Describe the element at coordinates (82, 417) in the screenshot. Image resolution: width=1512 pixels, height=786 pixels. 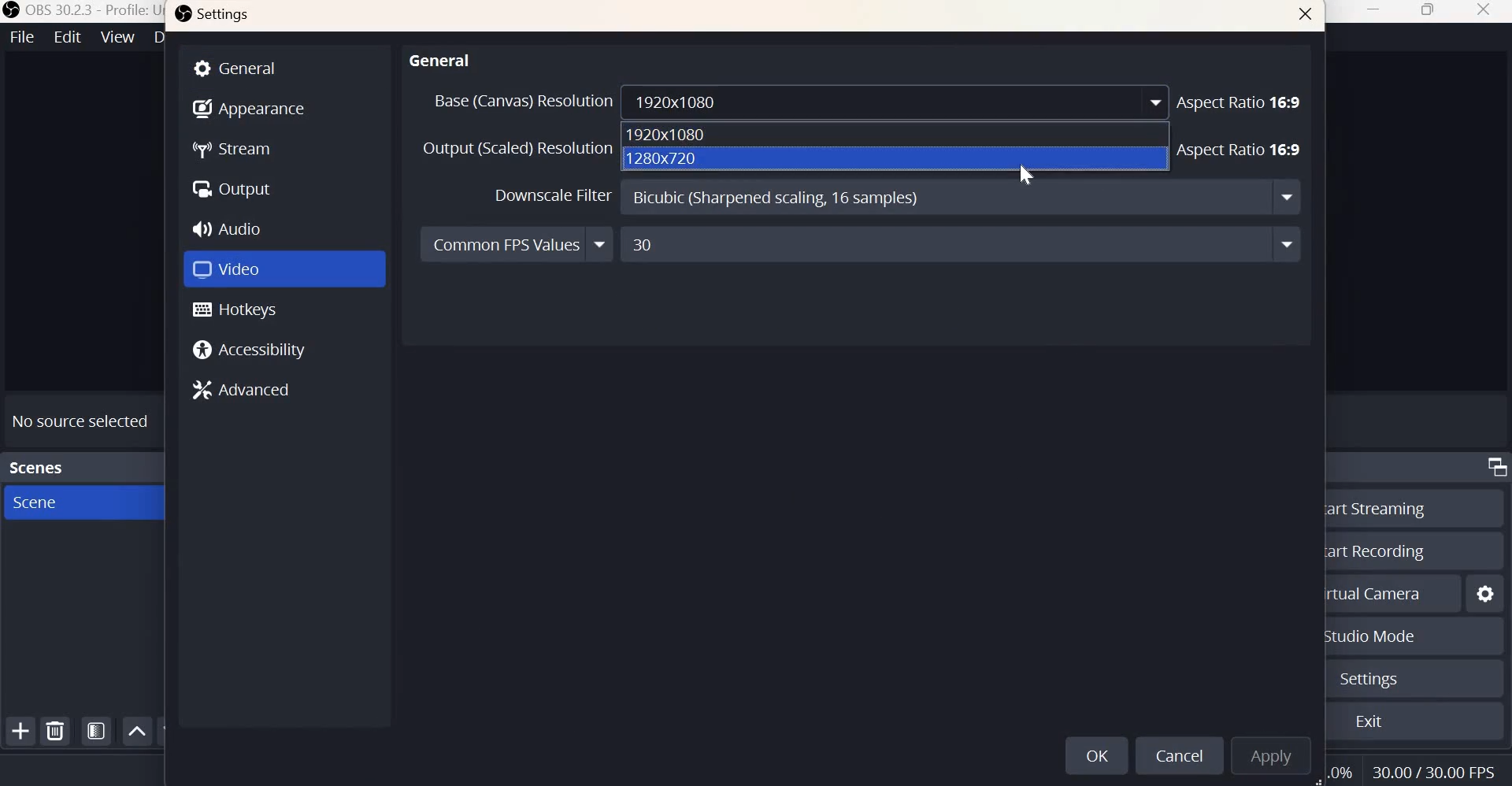
I see `No source selected` at that location.